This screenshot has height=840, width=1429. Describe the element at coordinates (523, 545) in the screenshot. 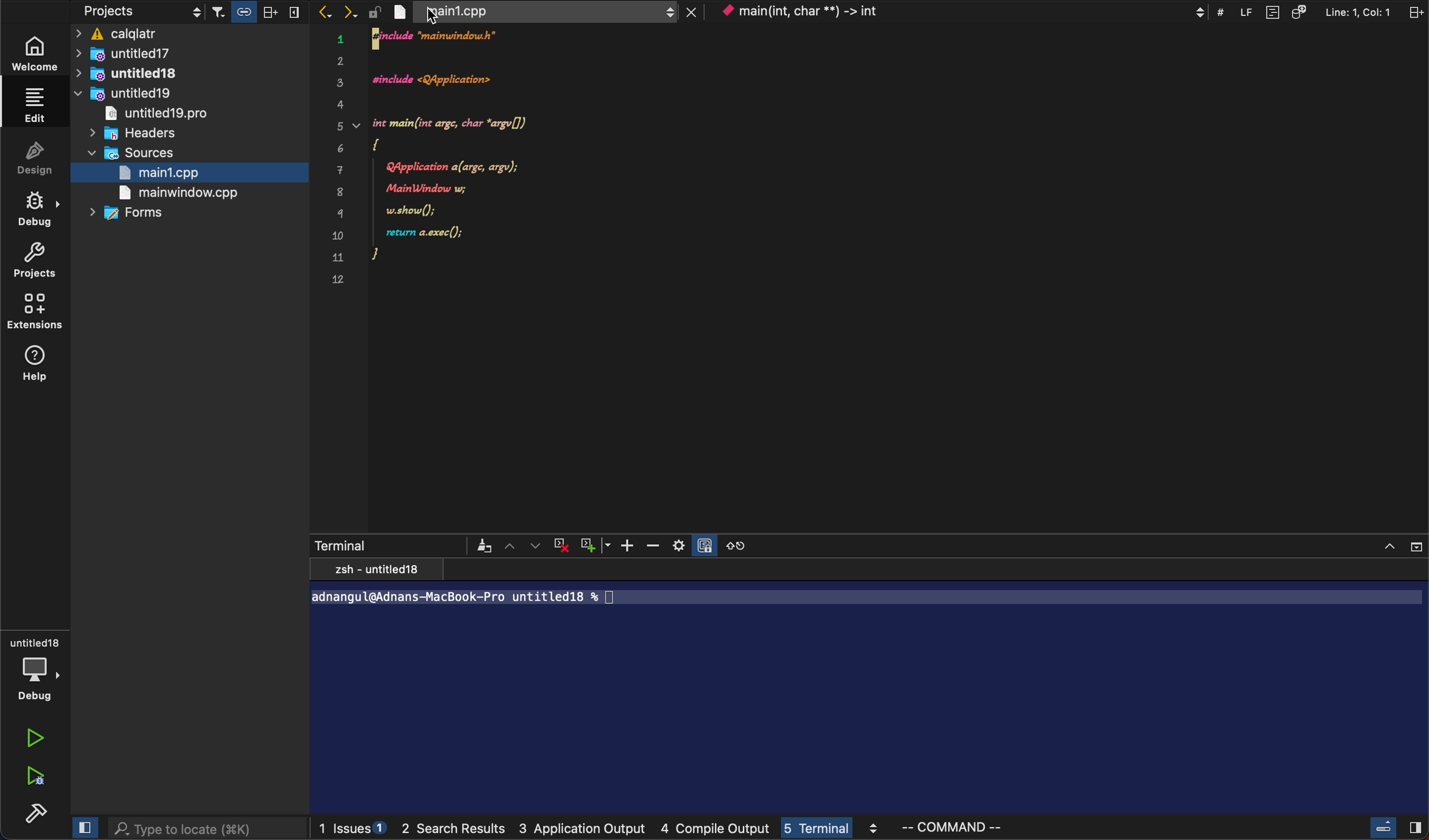

I see `arrows` at that location.